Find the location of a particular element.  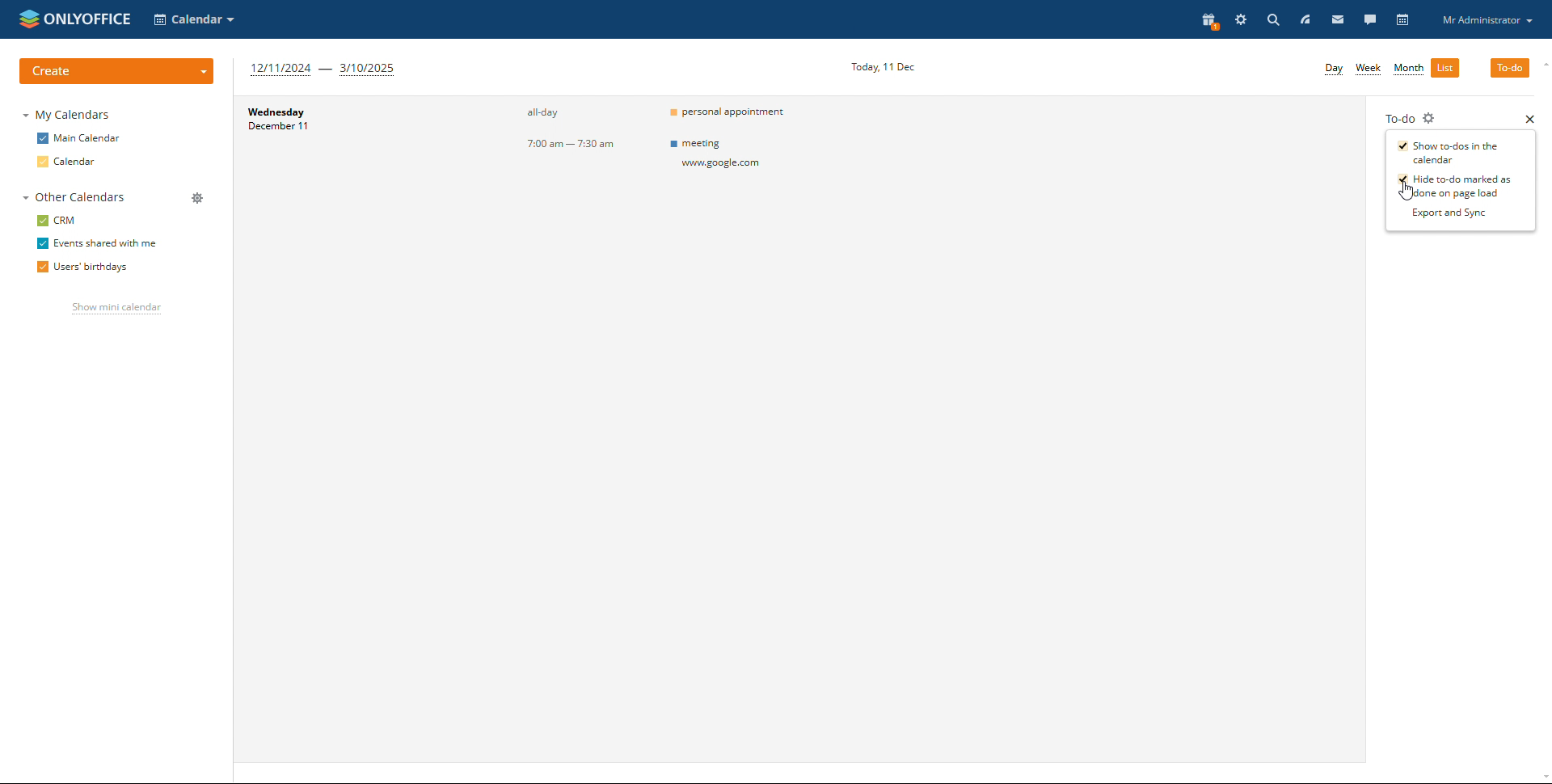

 is located at coordinates (743, 157).